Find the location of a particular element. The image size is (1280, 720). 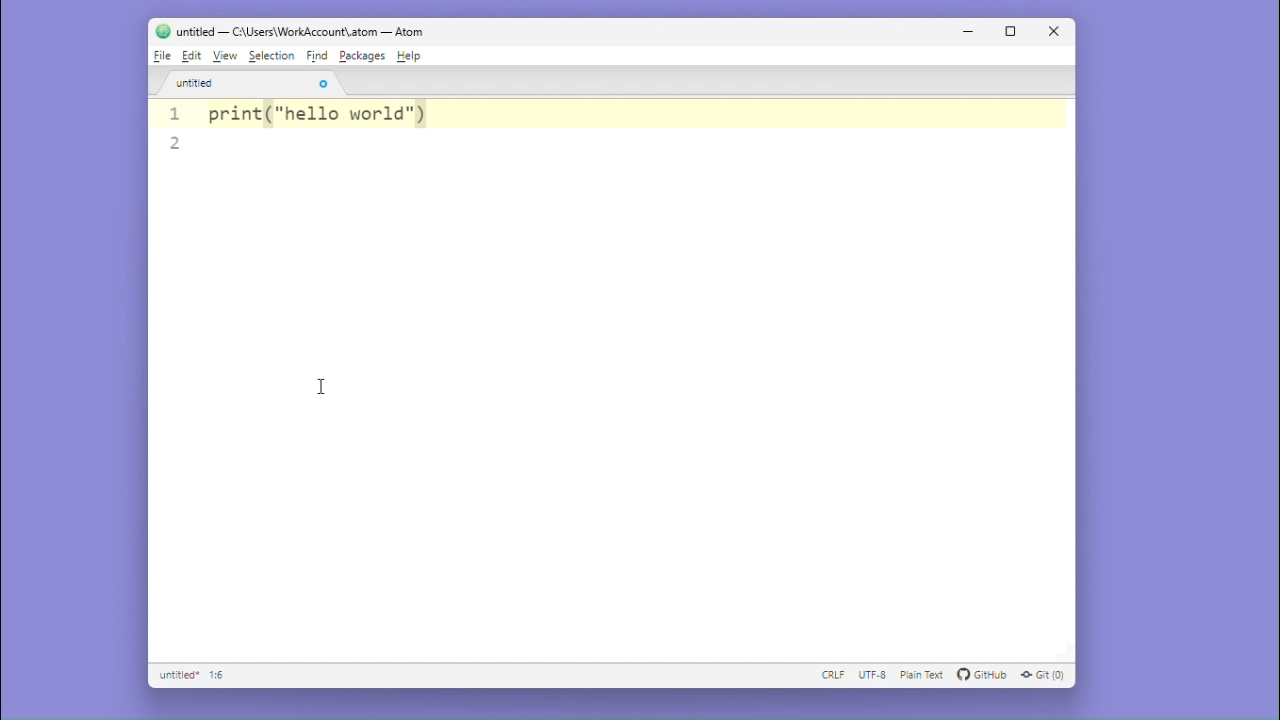

UTF-8 is located at coordinates (873, 677).